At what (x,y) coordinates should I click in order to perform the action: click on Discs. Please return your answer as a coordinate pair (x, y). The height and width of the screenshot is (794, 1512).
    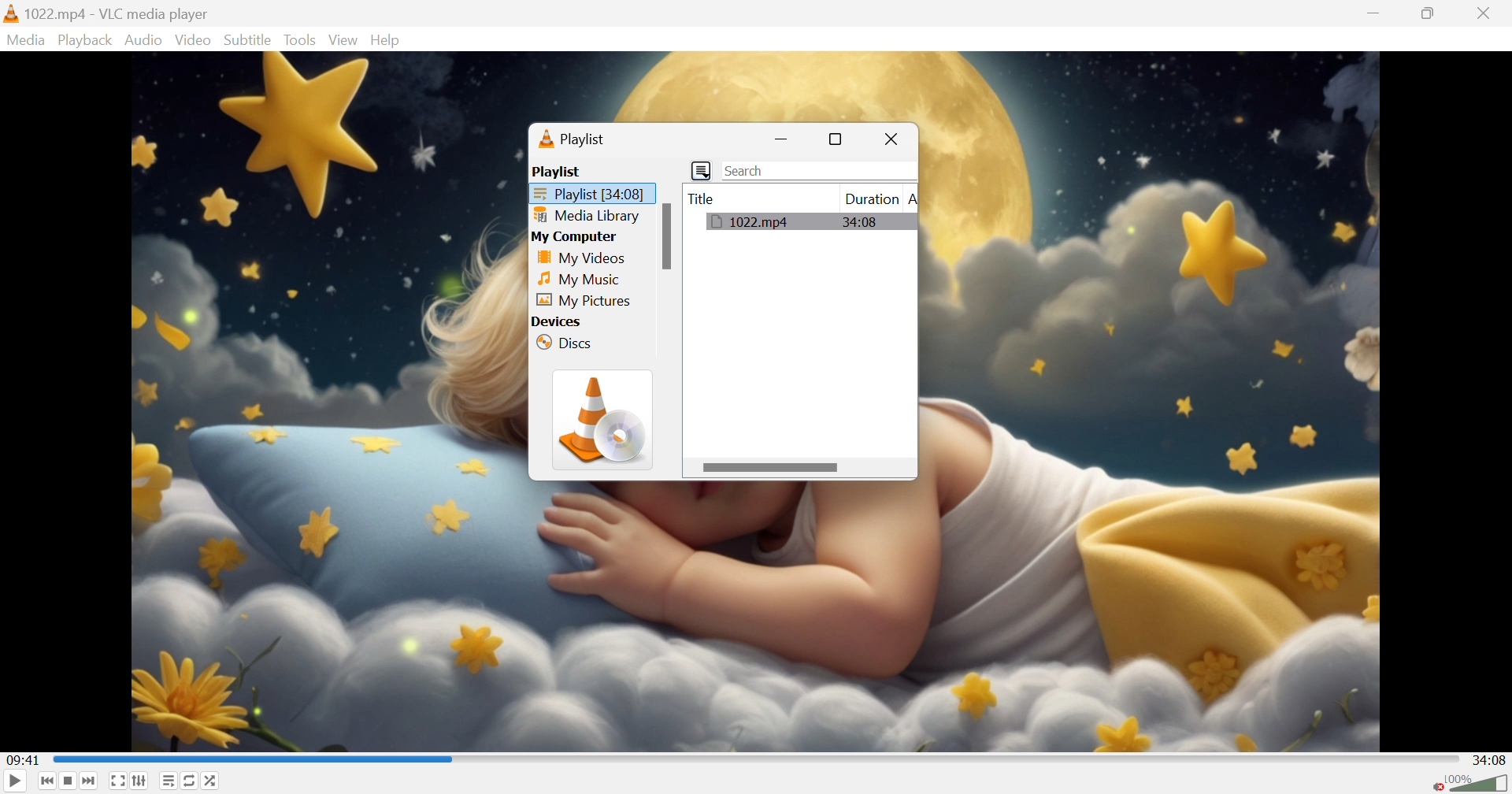
    Looking at the image, I should click on (565, 343).